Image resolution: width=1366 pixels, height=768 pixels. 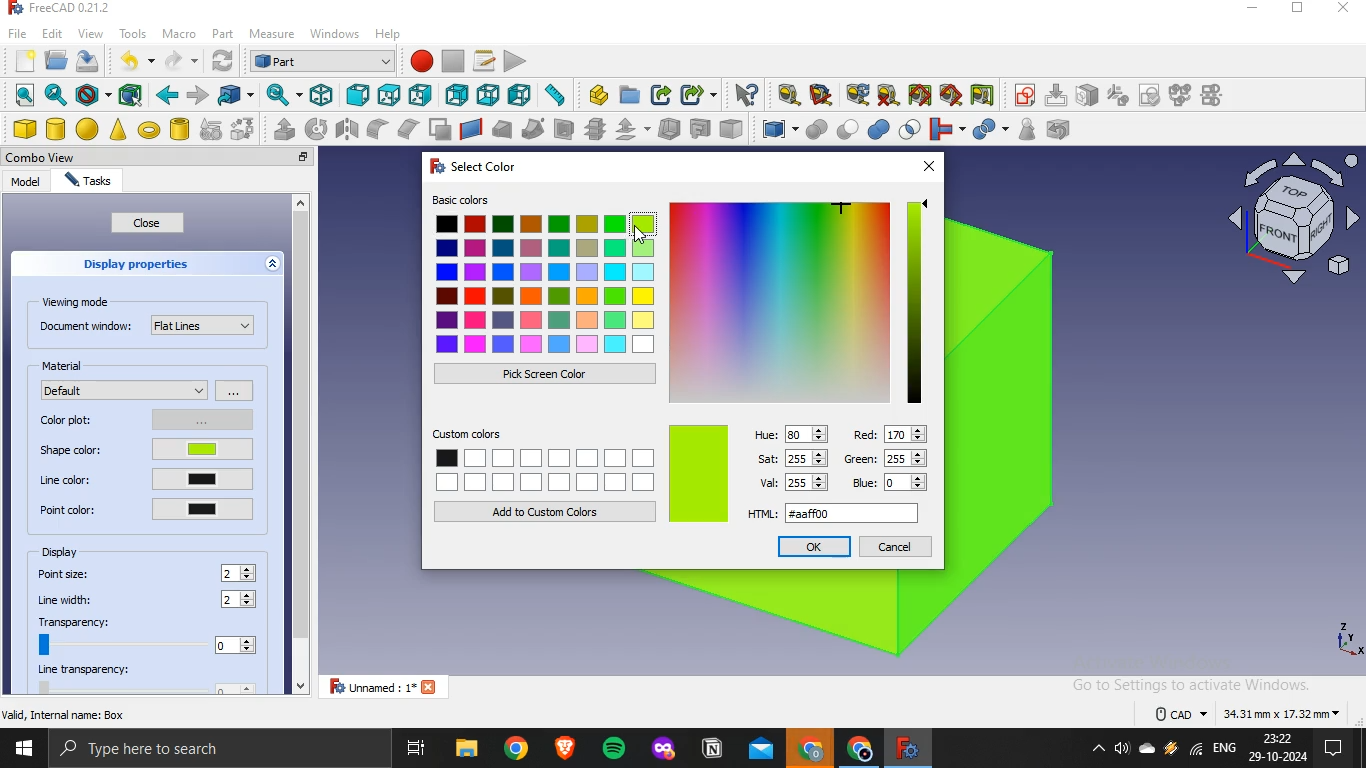 I want to click on split objects, so click(x=987, y=130).